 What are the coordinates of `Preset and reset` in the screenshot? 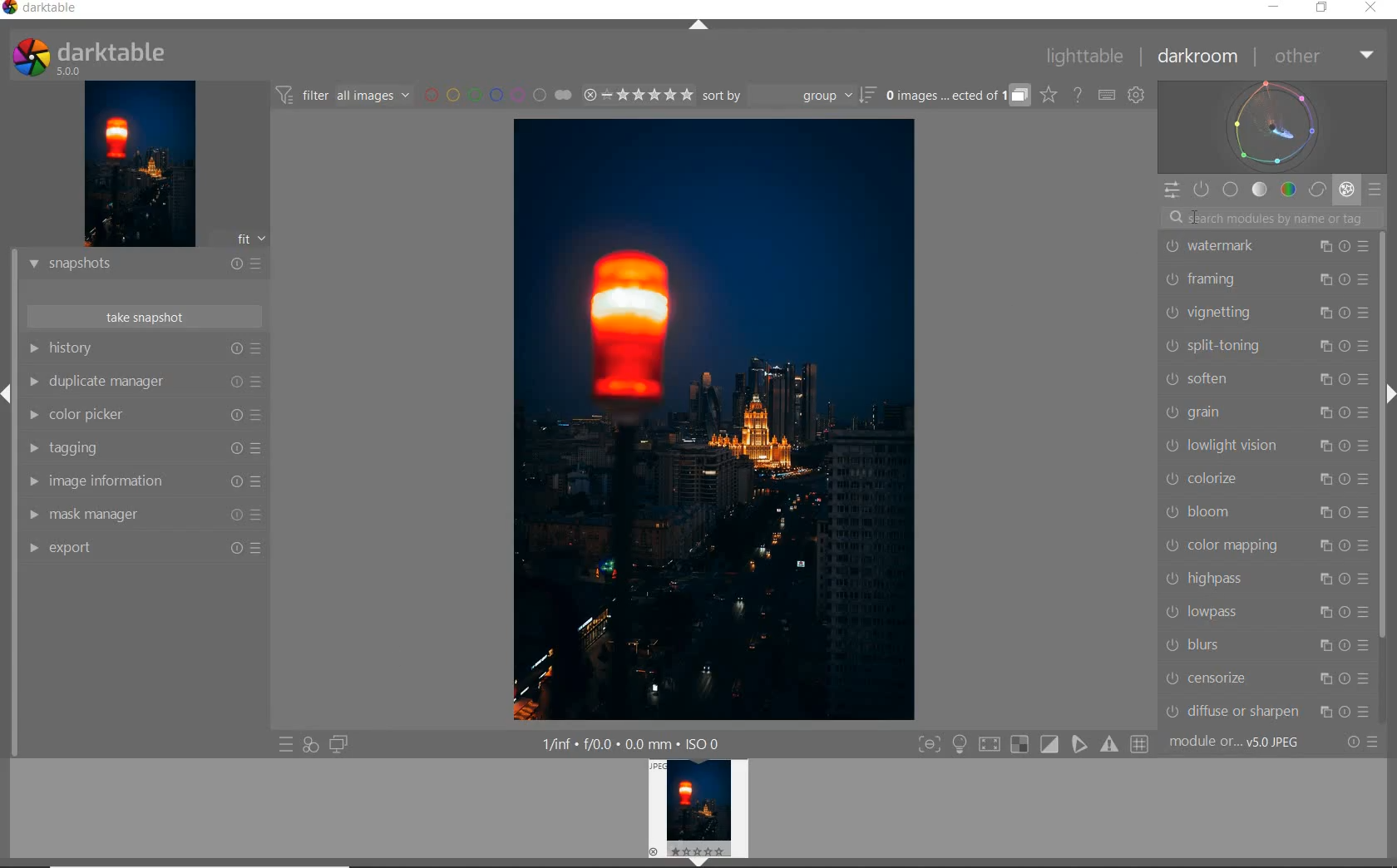 It's located at (1365, 347).